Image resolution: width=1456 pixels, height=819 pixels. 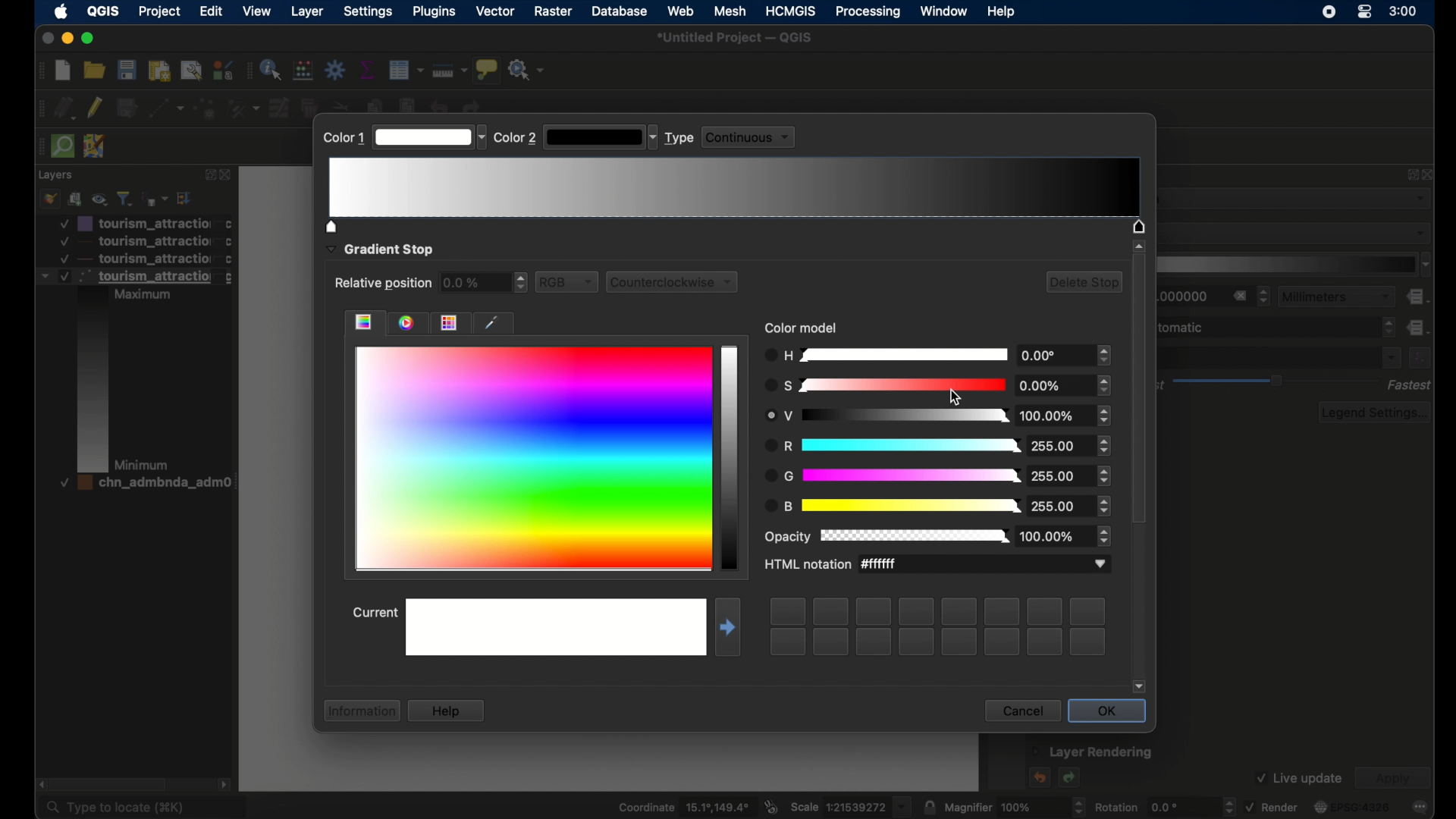 I want to click on R, so click(x=937, y=417).